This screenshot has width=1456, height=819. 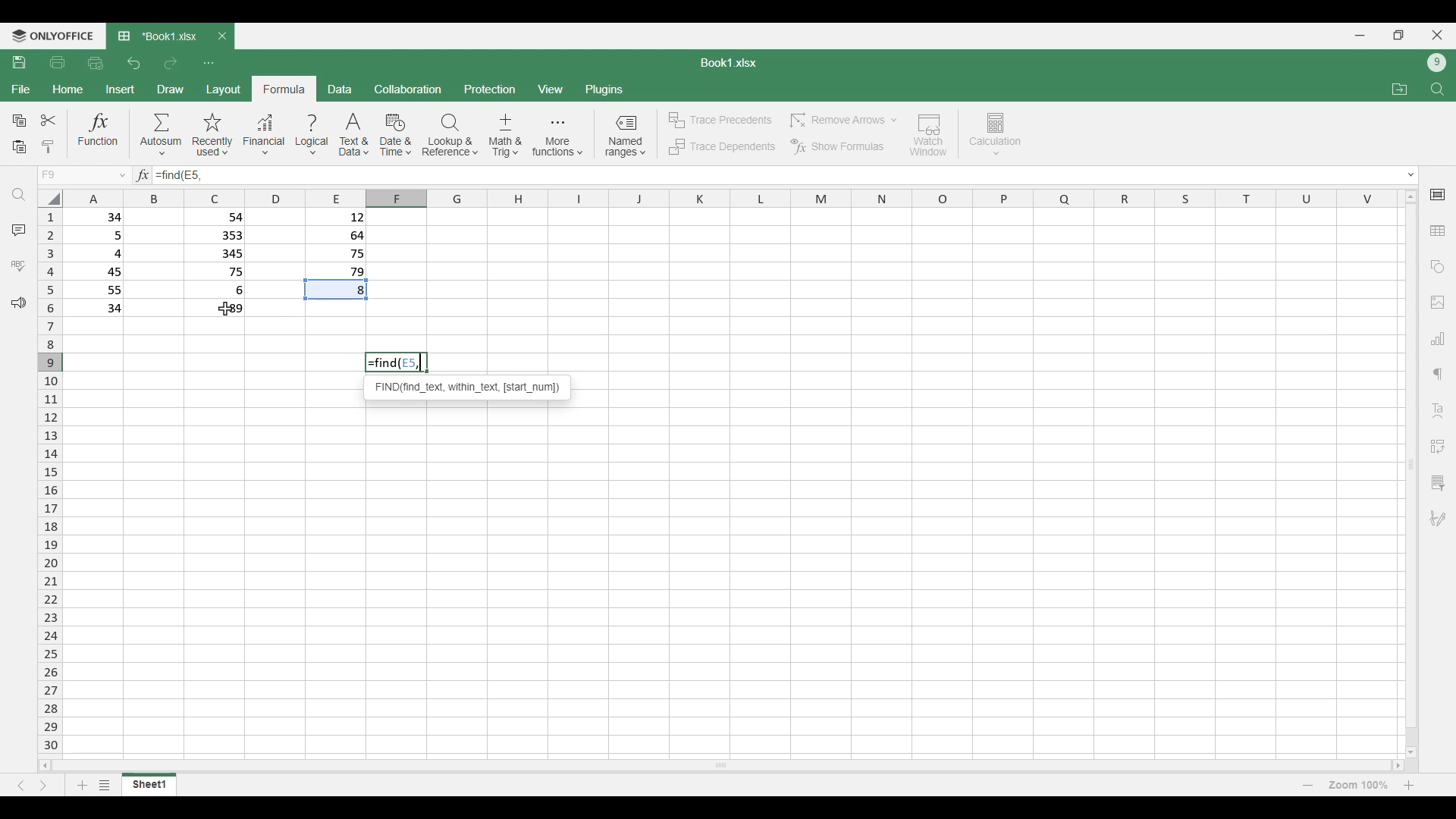 What do you see at coordinates (170, 64) in the screenshot?
I see `Redo` at bounding box center [170, 64].